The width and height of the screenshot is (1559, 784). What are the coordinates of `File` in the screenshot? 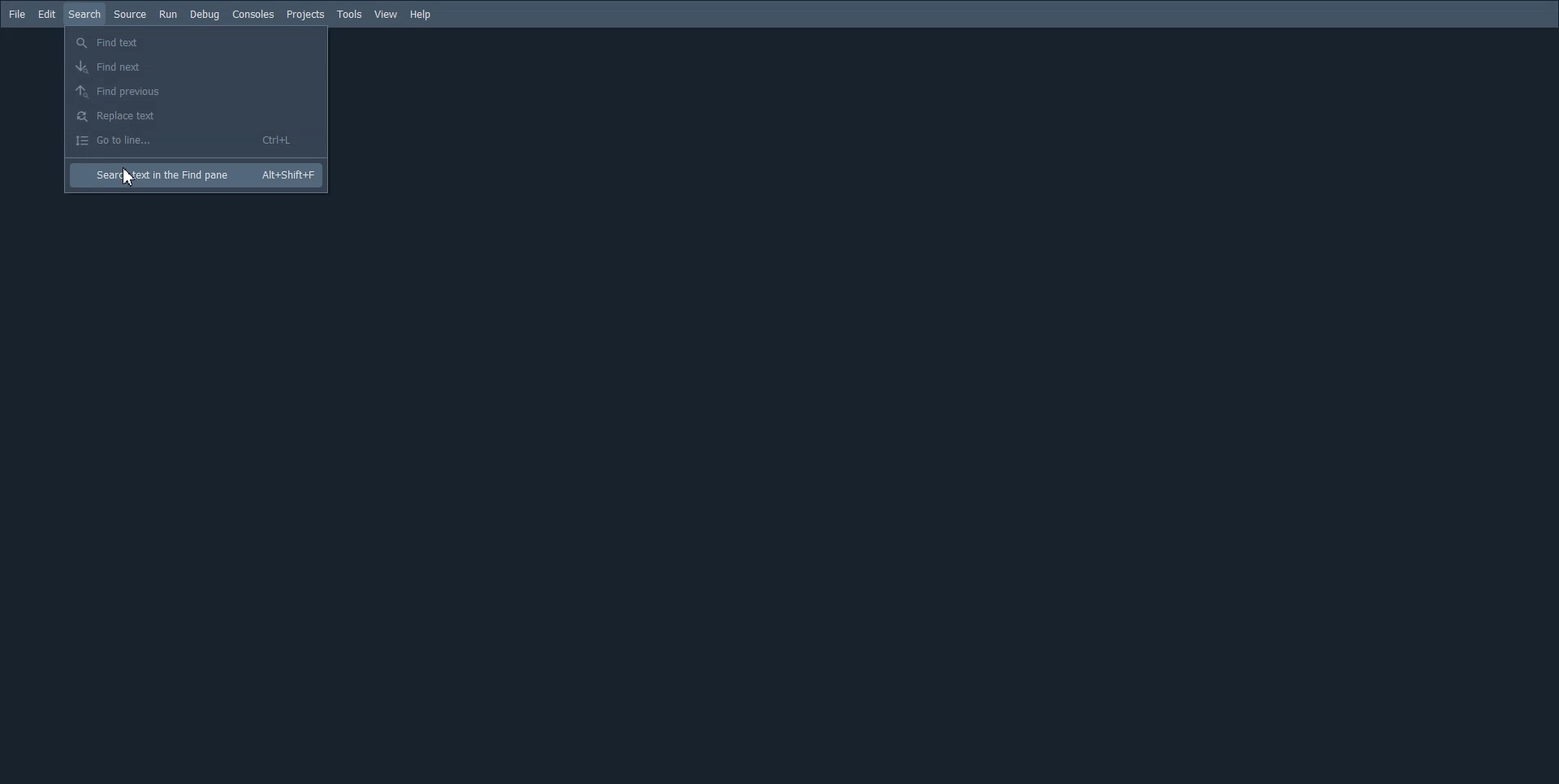 It's located at (18, 14).